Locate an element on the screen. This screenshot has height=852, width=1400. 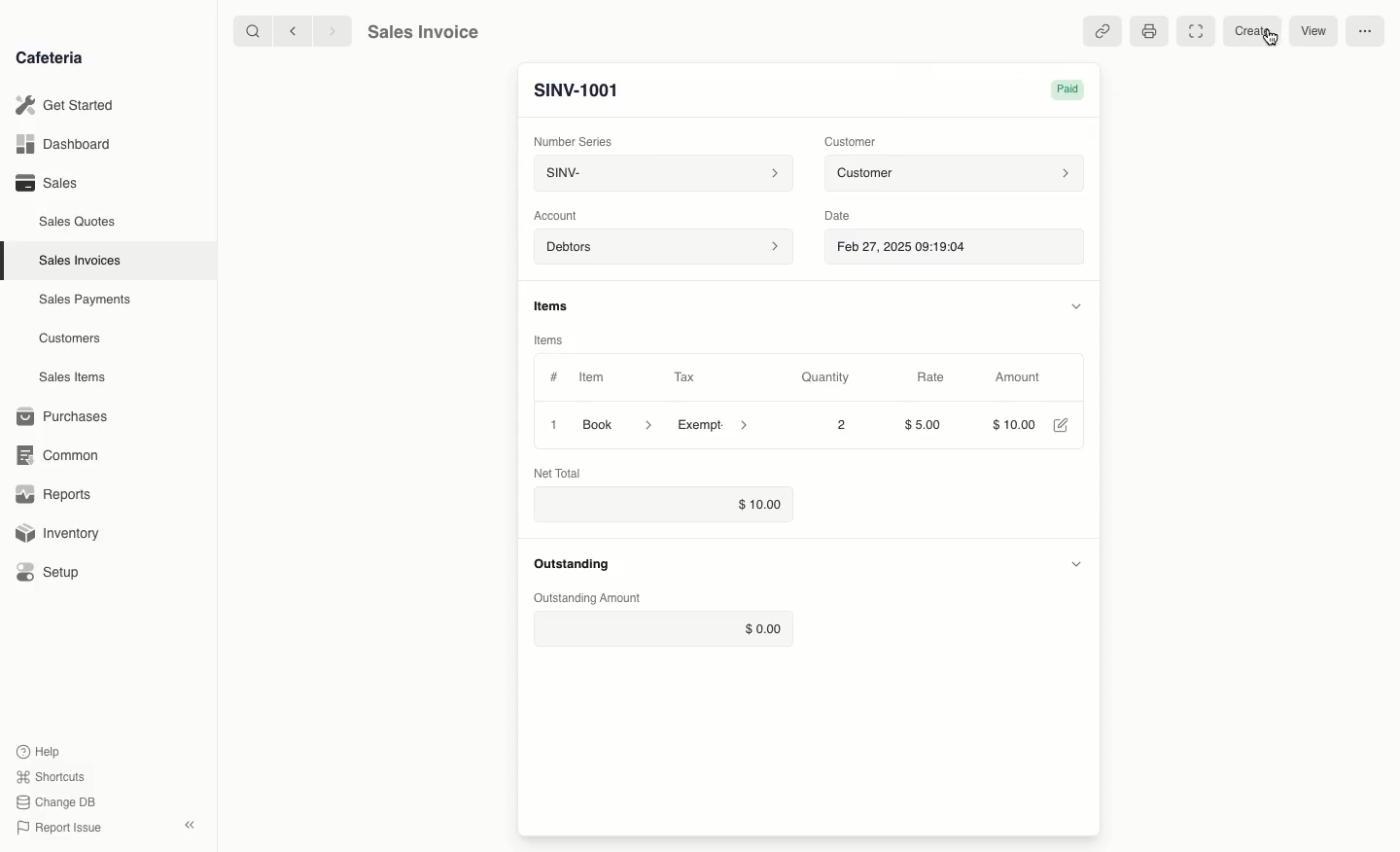
Rate is located at coordinates (930, 377).